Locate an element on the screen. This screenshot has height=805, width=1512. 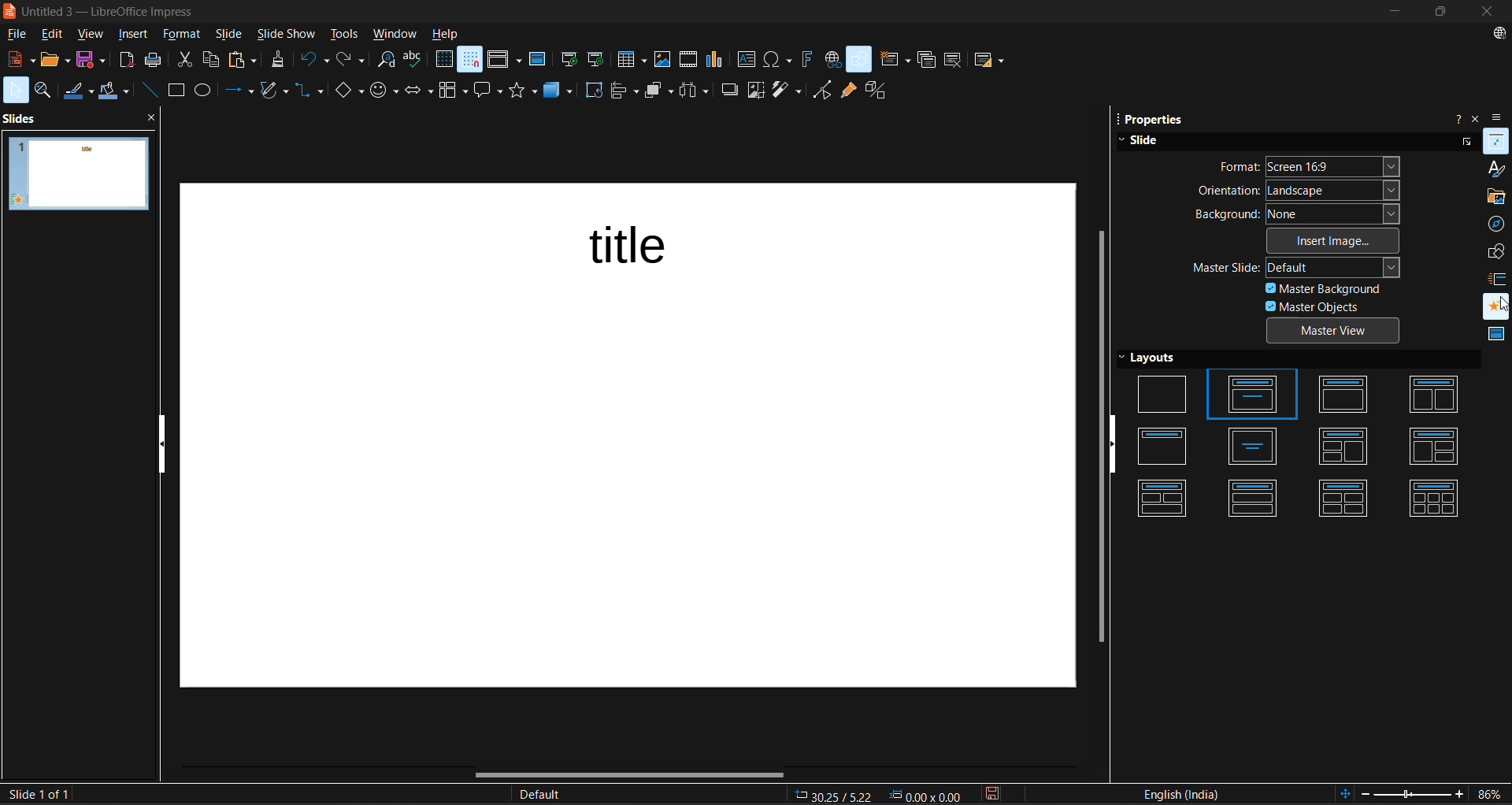
export directly as PDF is located at coordinates (128, 61).